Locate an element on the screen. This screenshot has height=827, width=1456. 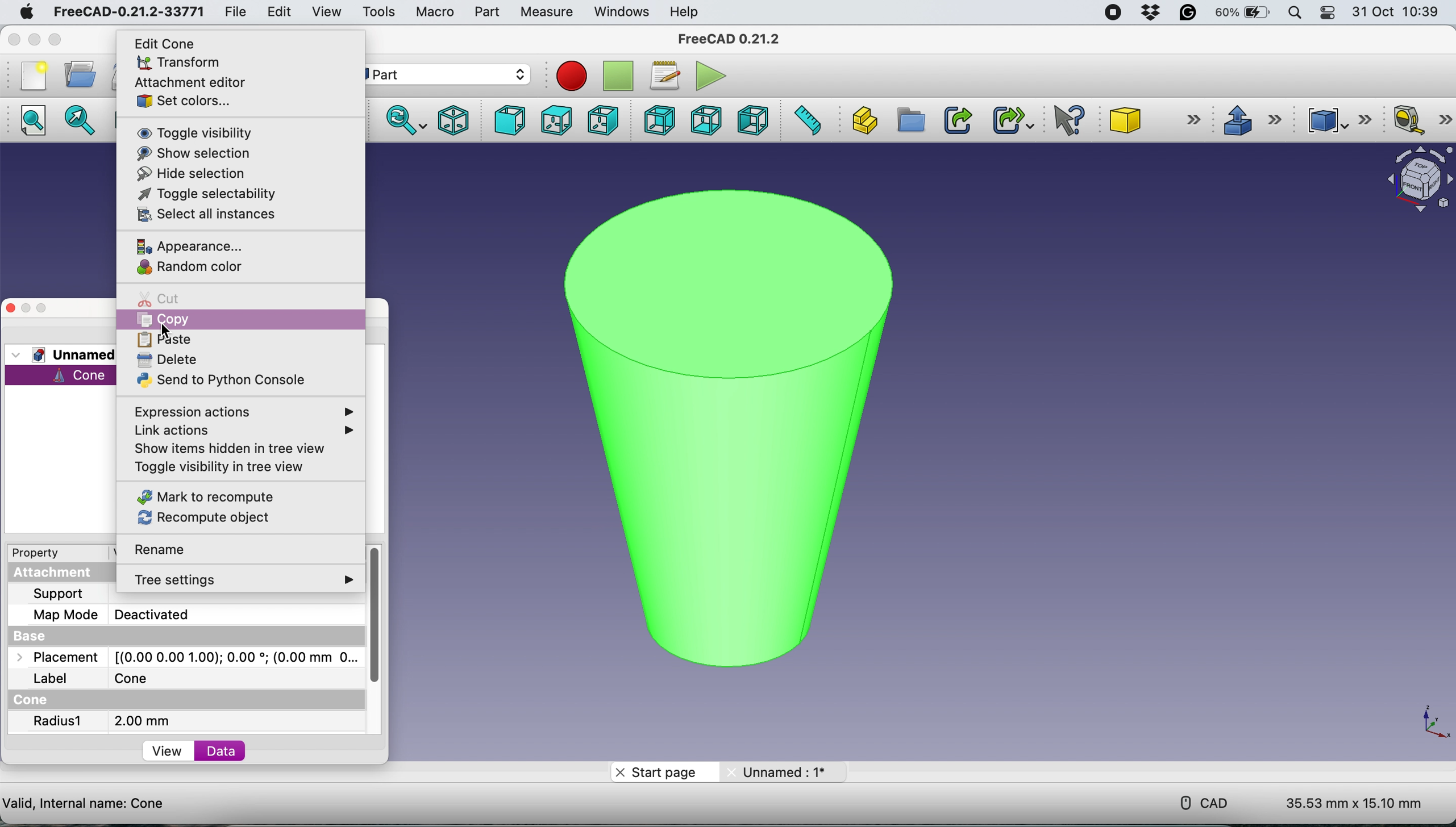
spotlight search is located at coordinates (1295, 12).